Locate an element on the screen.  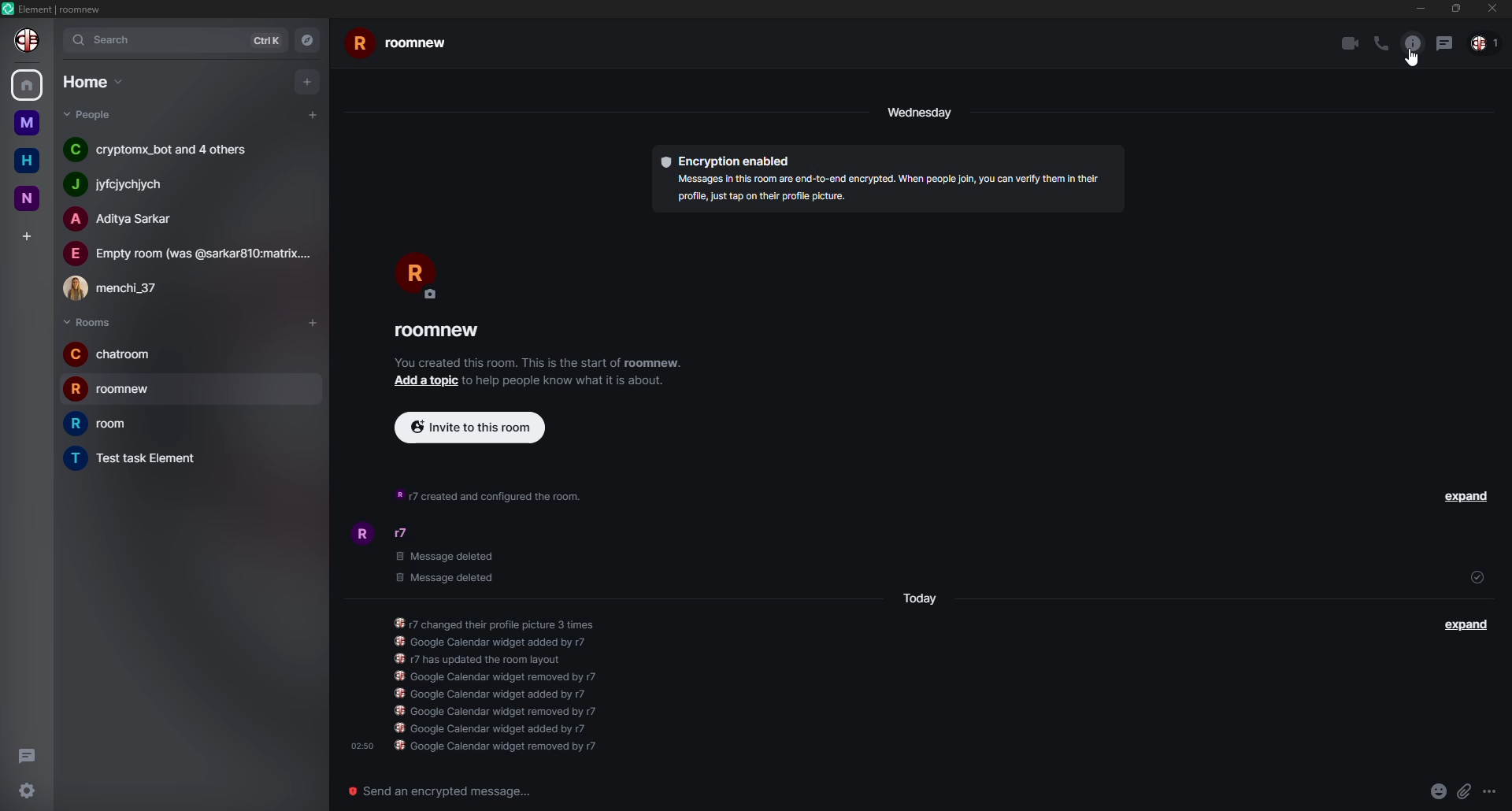
people is located at coordinates (189, 254).